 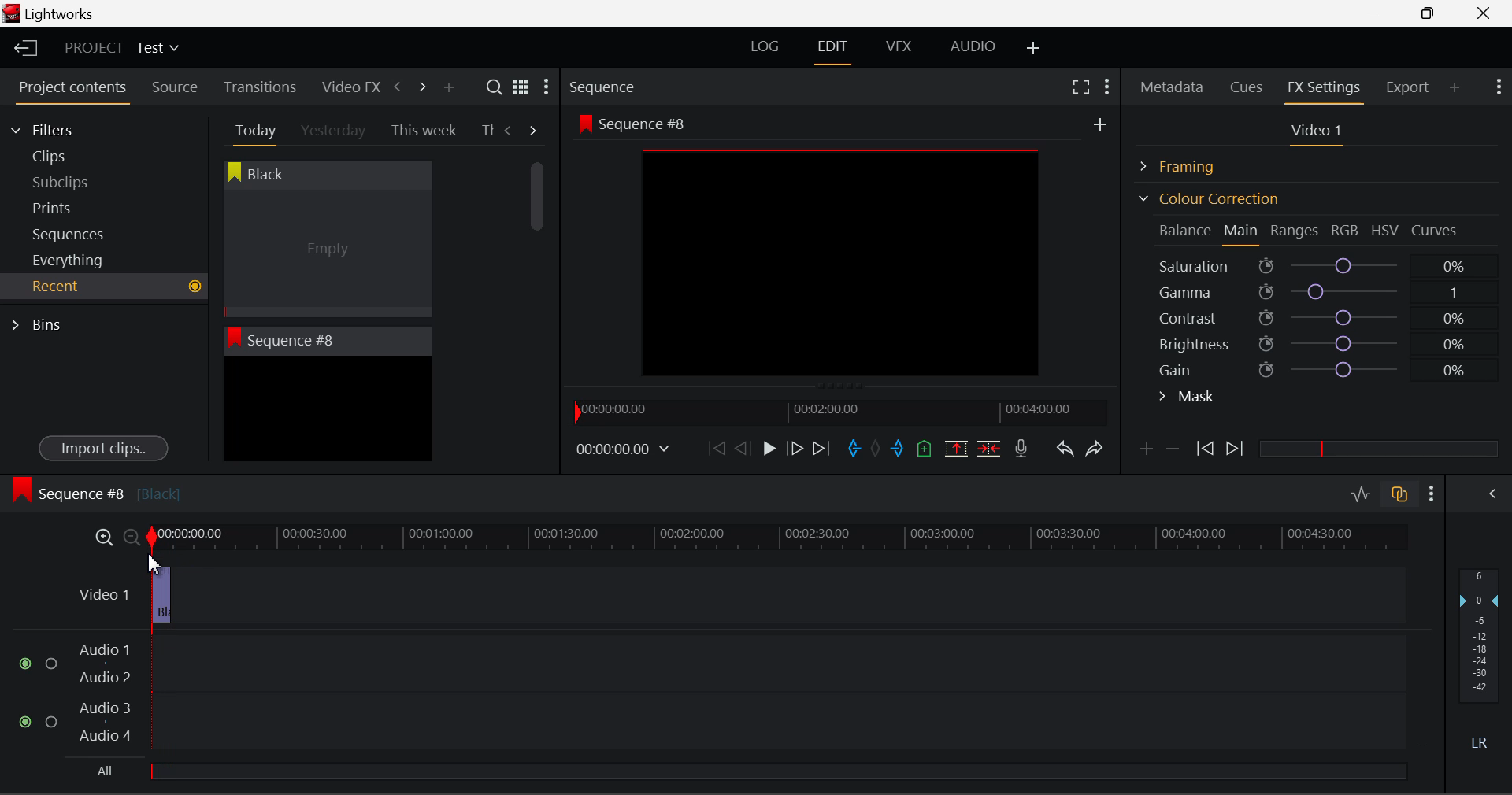 What do you see at coordinates (534, 129) in the screenshot?
I see `Next Tab` at bounding box center [534, 129].